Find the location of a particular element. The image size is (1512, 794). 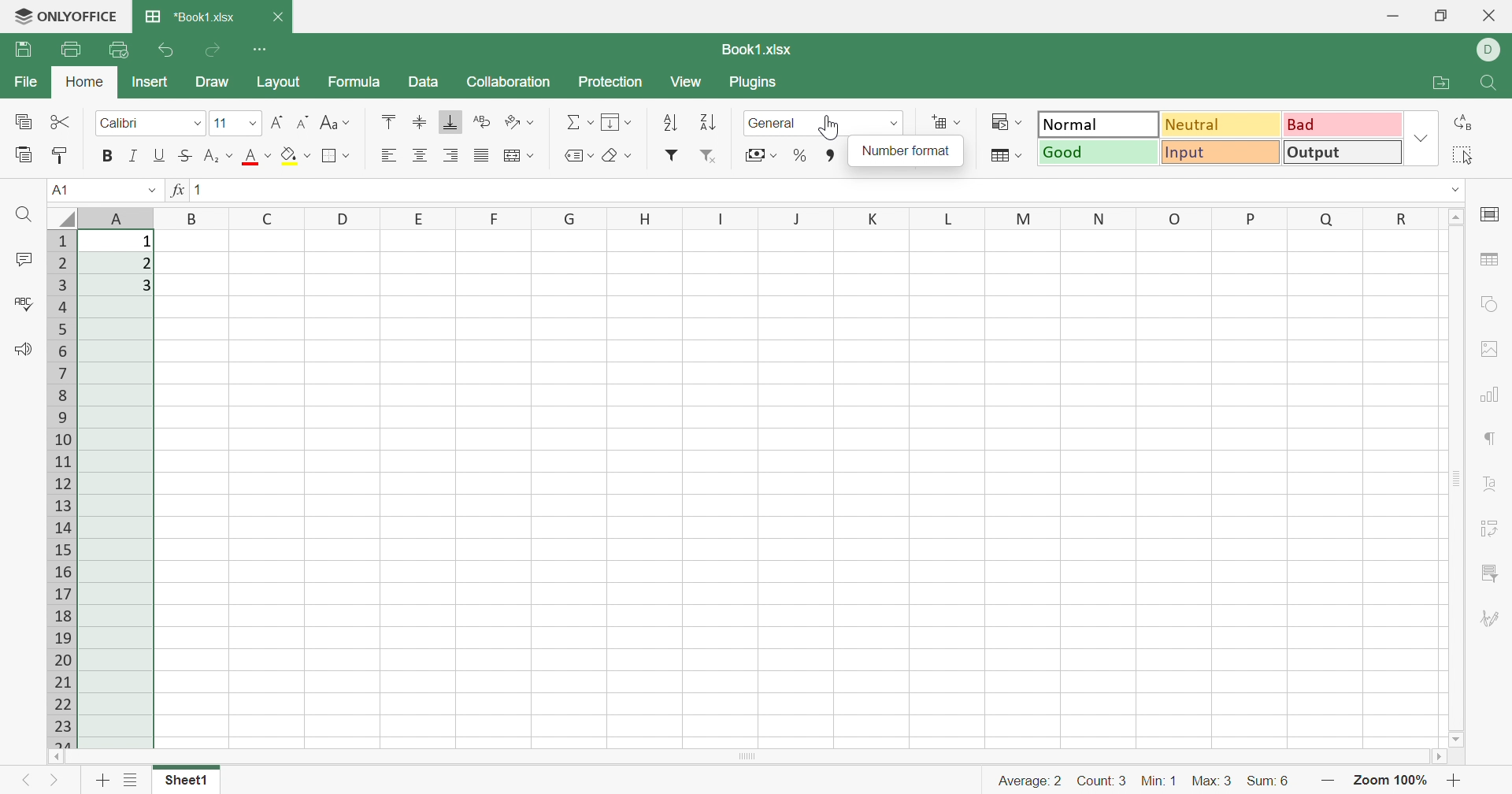

Fill is located at coordinates (615, 121).